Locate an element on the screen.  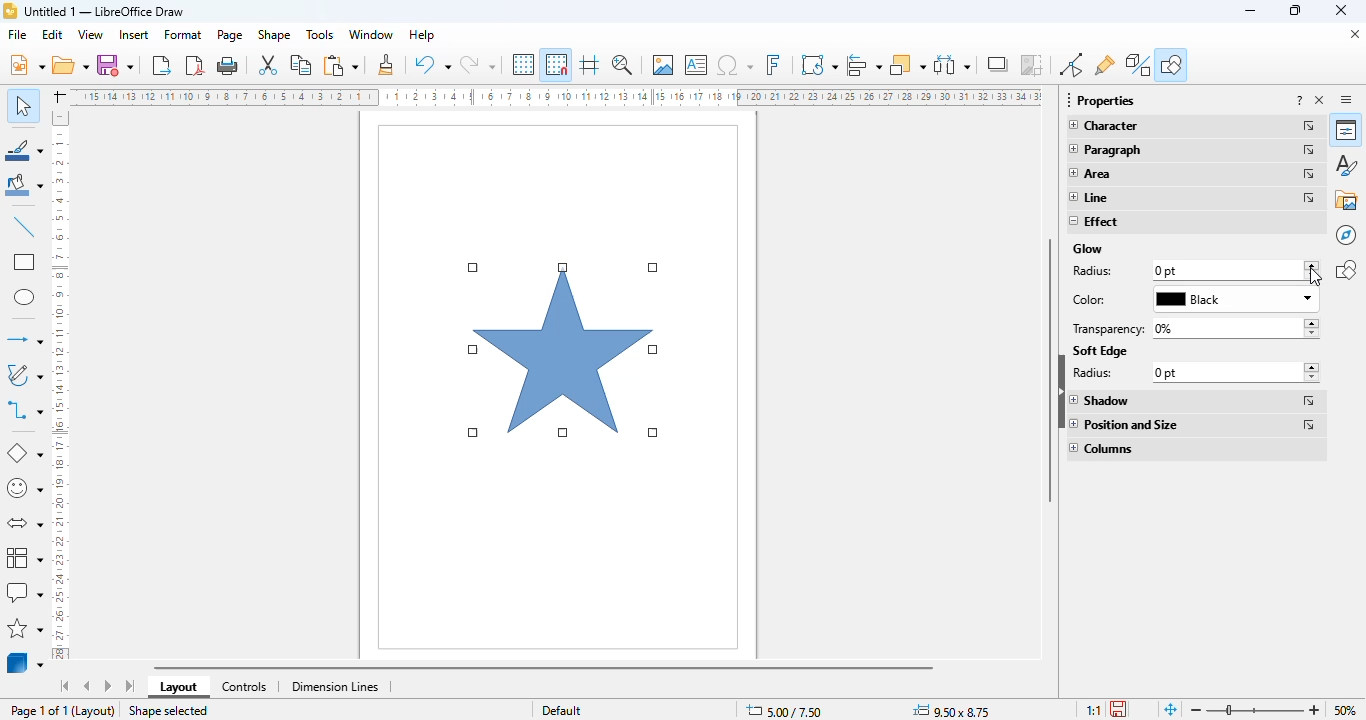
zoom slider is located at coordinates (1257, 709).